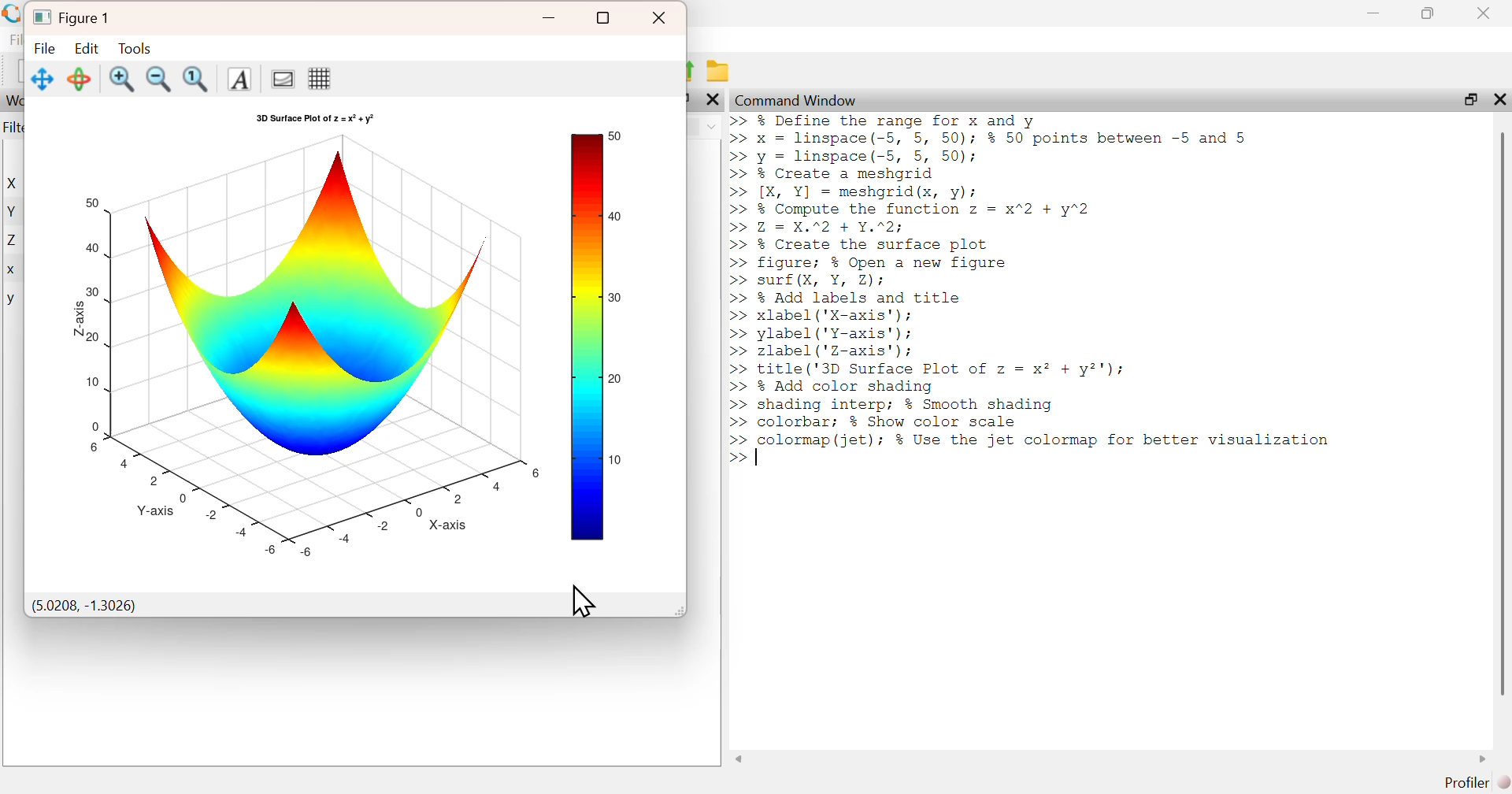 The width and height of the screenshot is (1512, 794). I want to click on Rotate, so click(80, 79).